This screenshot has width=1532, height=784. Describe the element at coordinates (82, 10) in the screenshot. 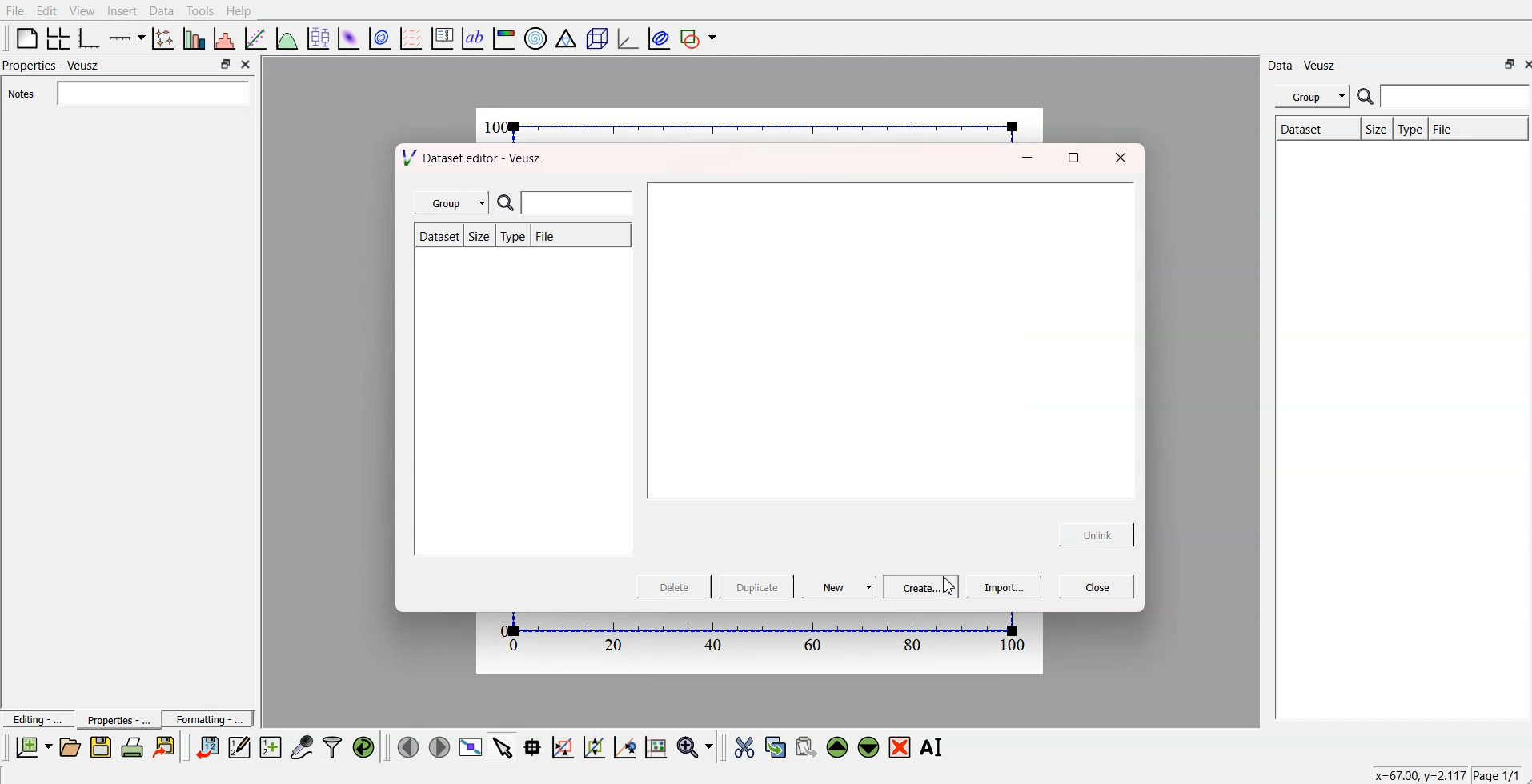

I see `View` at that location.